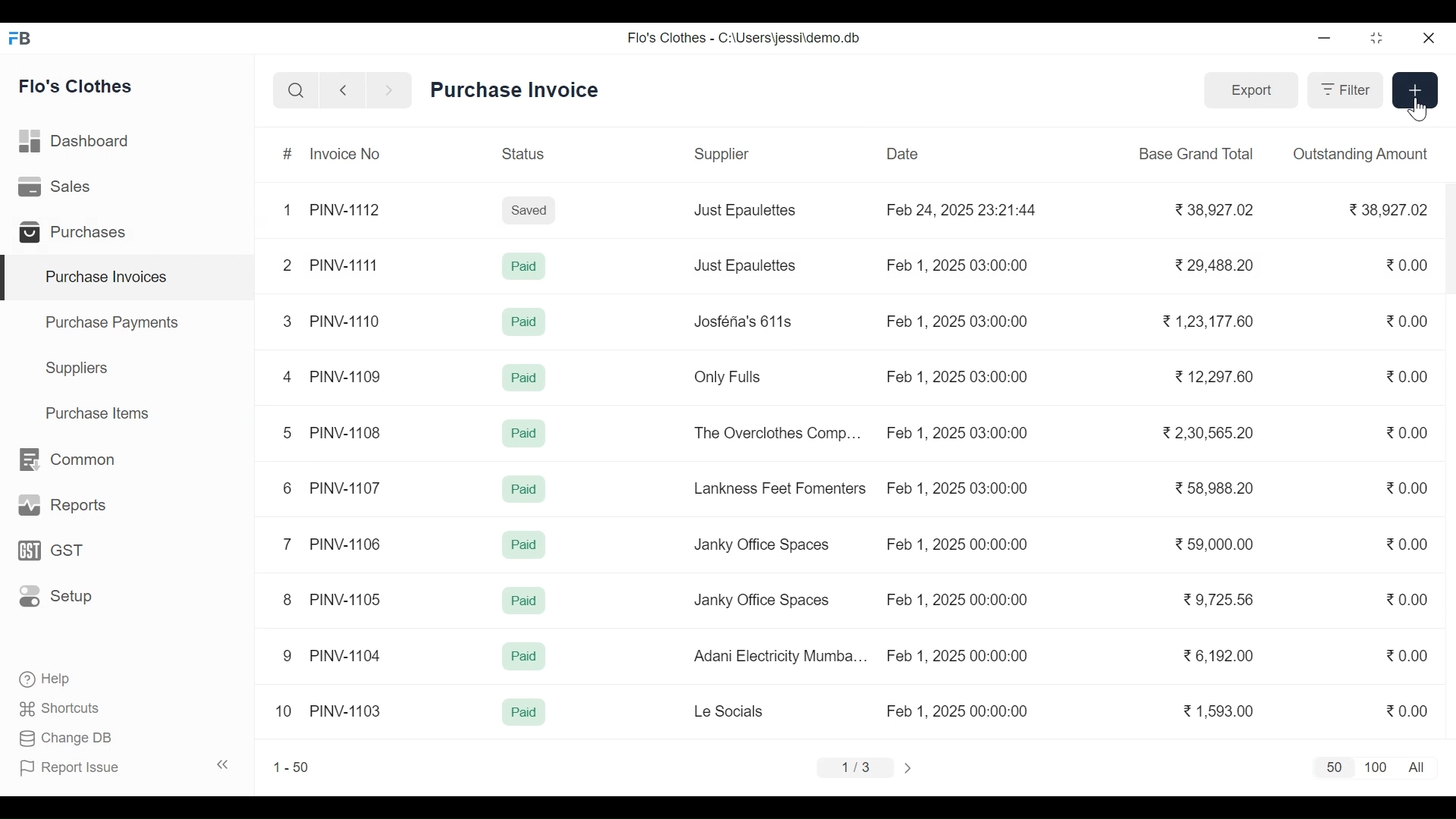 The image size is (1456, 819). What do you see at coordinates (1253, 89) in the screenshot?
I see `Export` at bounding box center [1253, 89].